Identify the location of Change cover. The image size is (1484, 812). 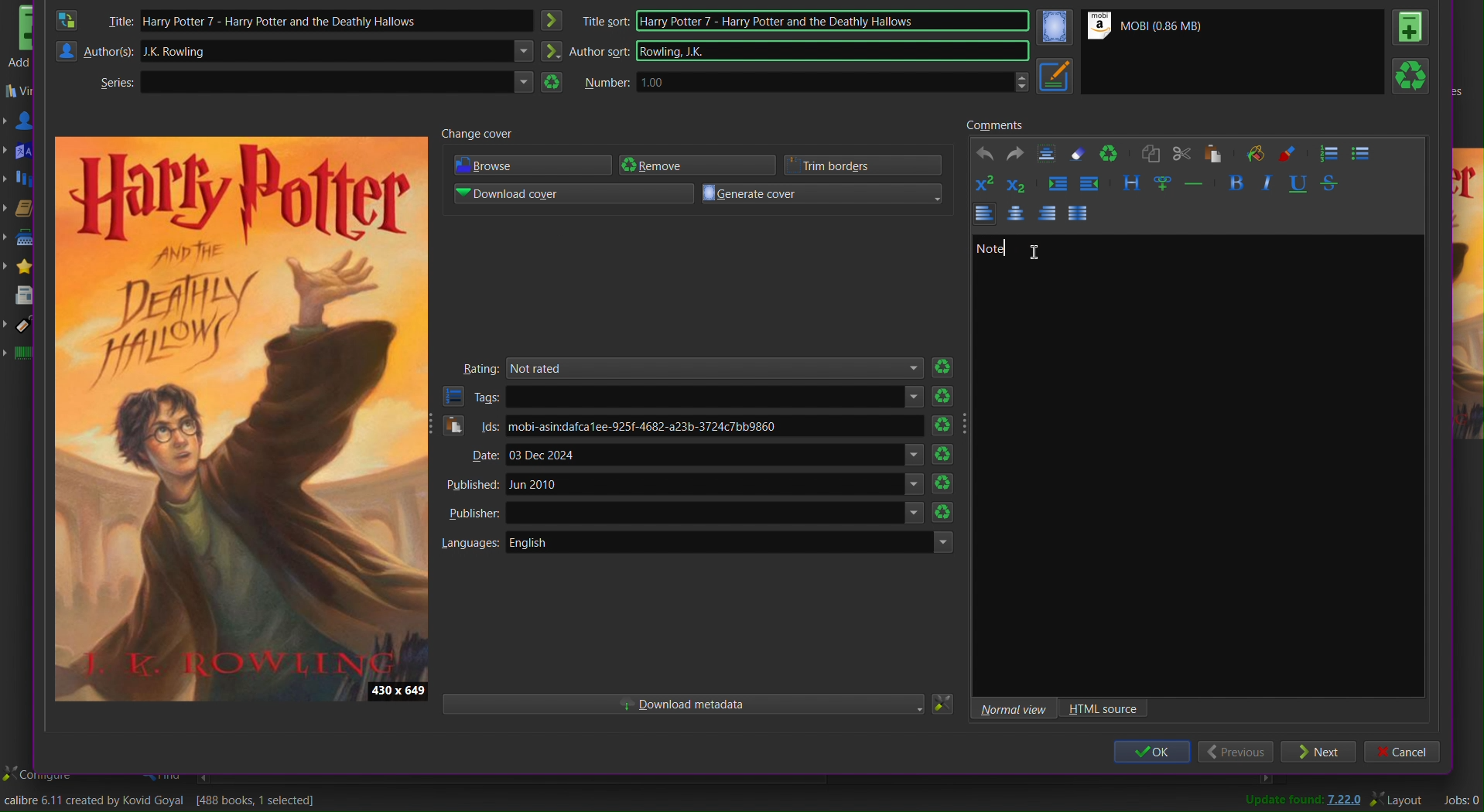
(475, 137).